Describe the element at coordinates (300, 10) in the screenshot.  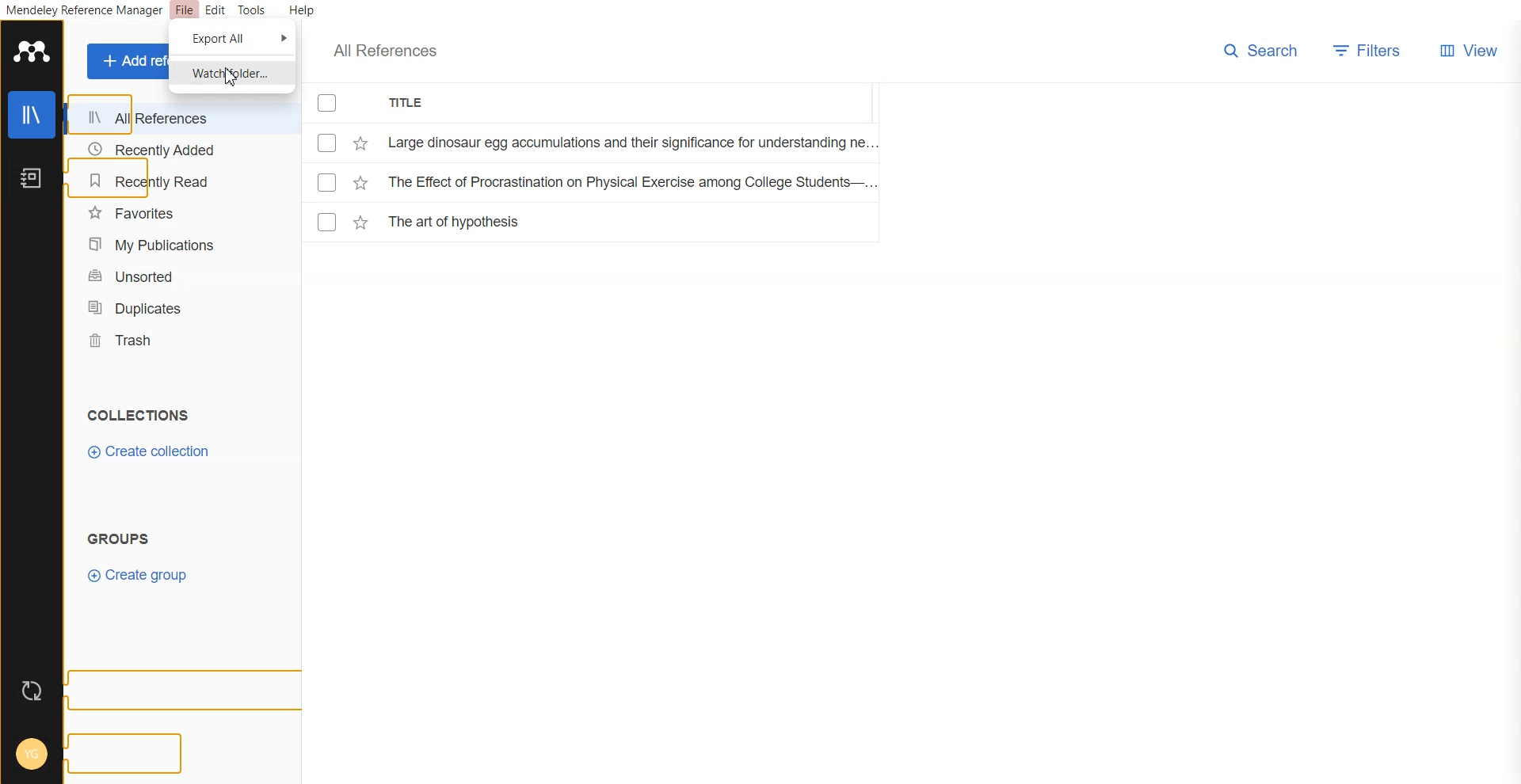
I see `Help` at that location.